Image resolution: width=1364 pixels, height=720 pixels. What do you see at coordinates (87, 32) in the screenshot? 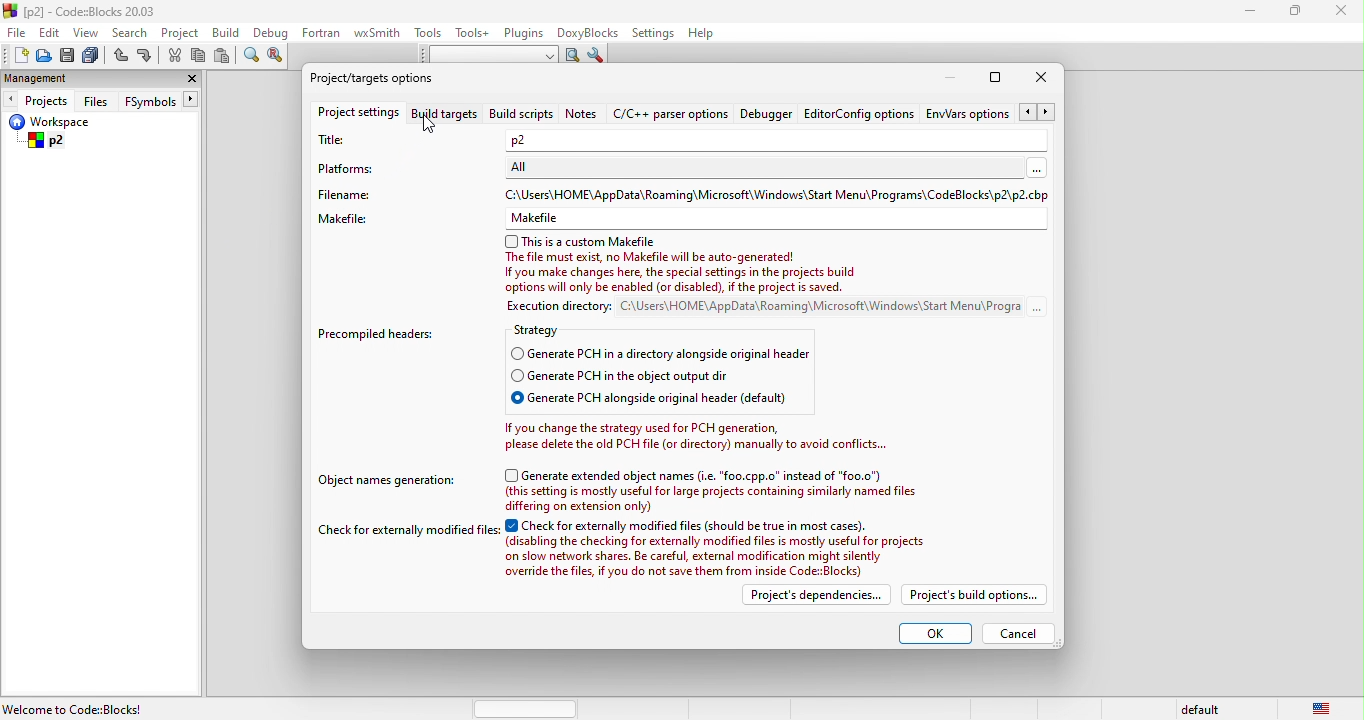
I see `view` at bounding box center [87, 32].